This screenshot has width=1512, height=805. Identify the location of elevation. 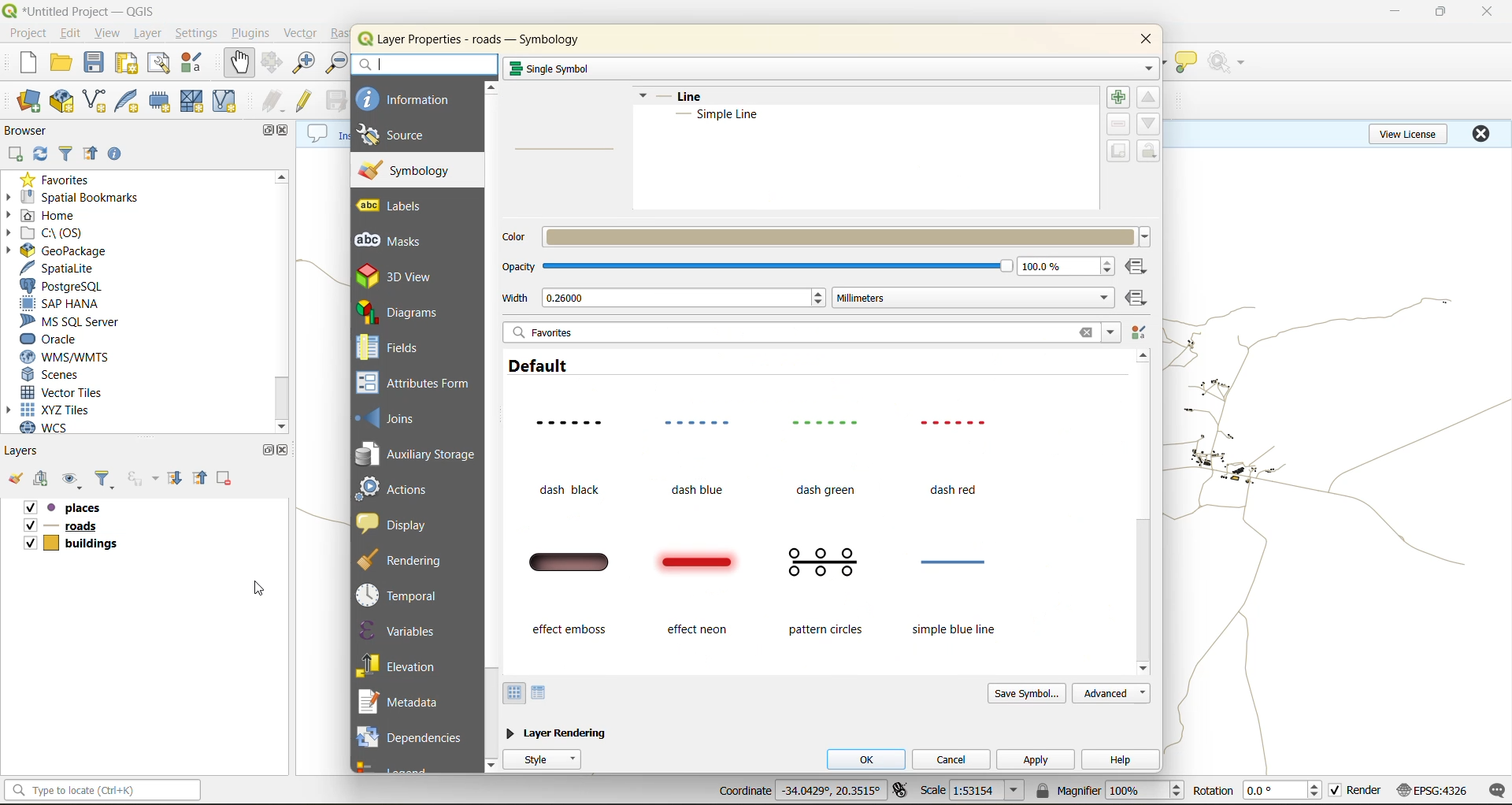
(402, 666).